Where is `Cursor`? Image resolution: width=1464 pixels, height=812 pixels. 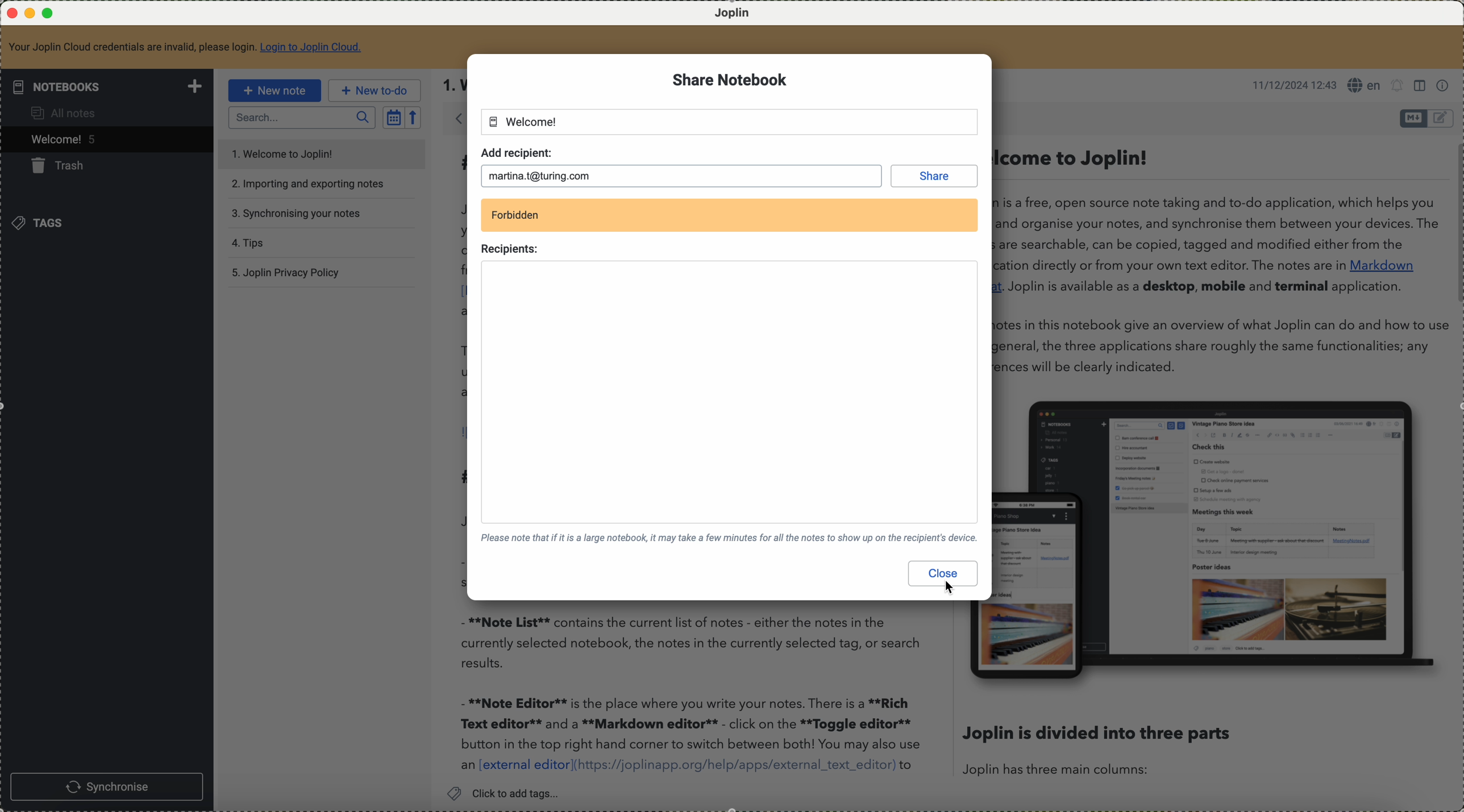 Cursor is located at coordinates (953, 589).